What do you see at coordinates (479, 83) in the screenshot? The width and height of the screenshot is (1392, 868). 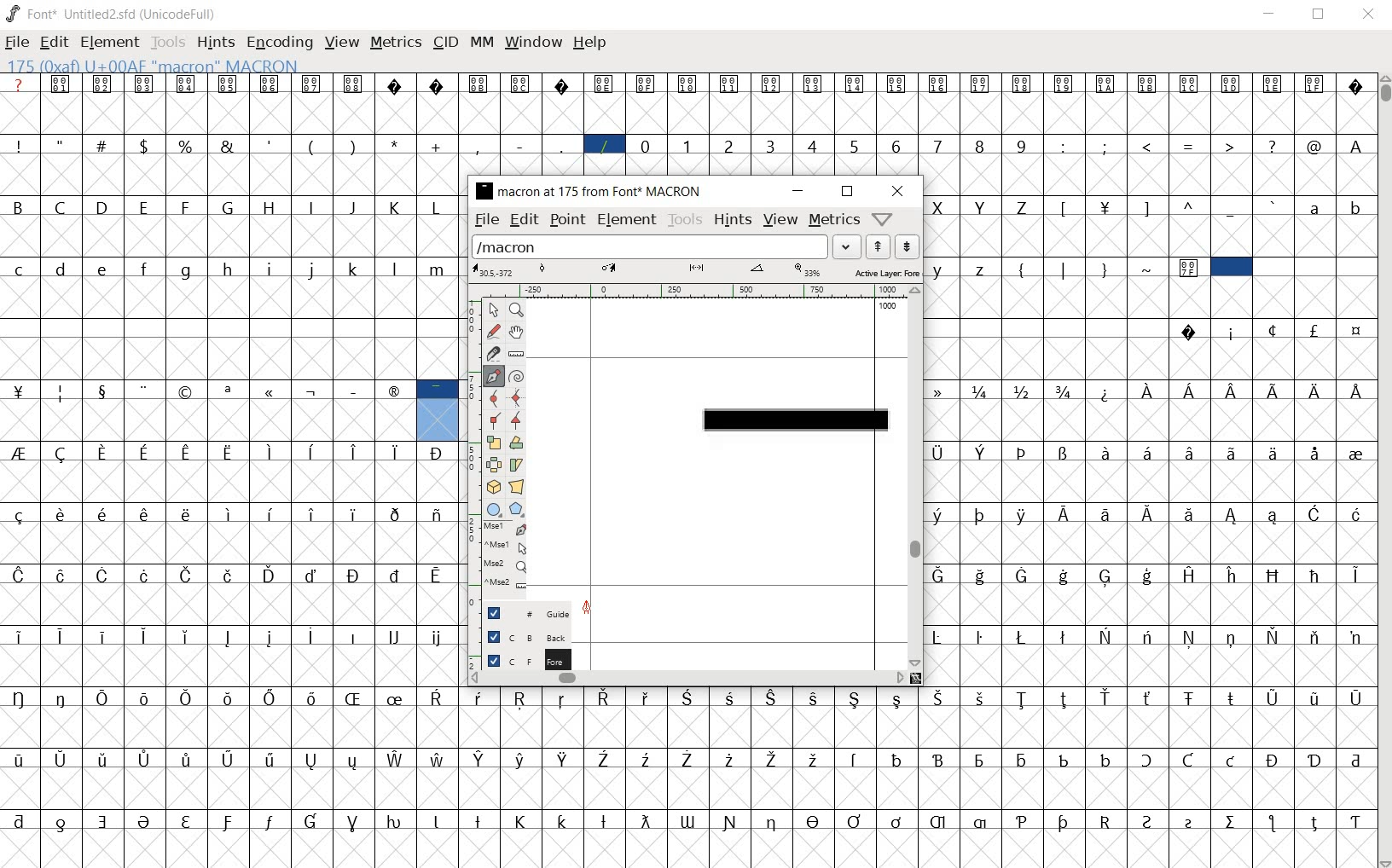 I see `Symbol` at bounding box center [479, 83].